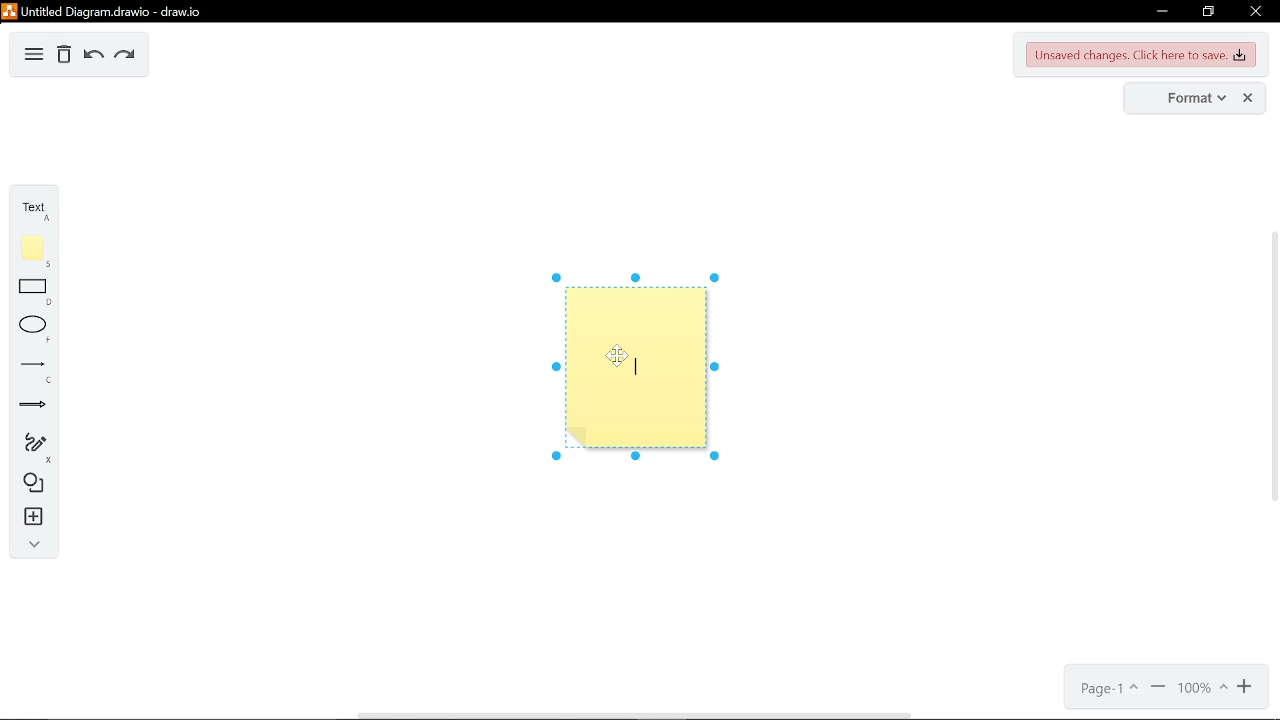 This screenshot has width=1280, height=720. Describe the element at coordinates (620, 358) in the screenshot. I see `Cursor` at that location.